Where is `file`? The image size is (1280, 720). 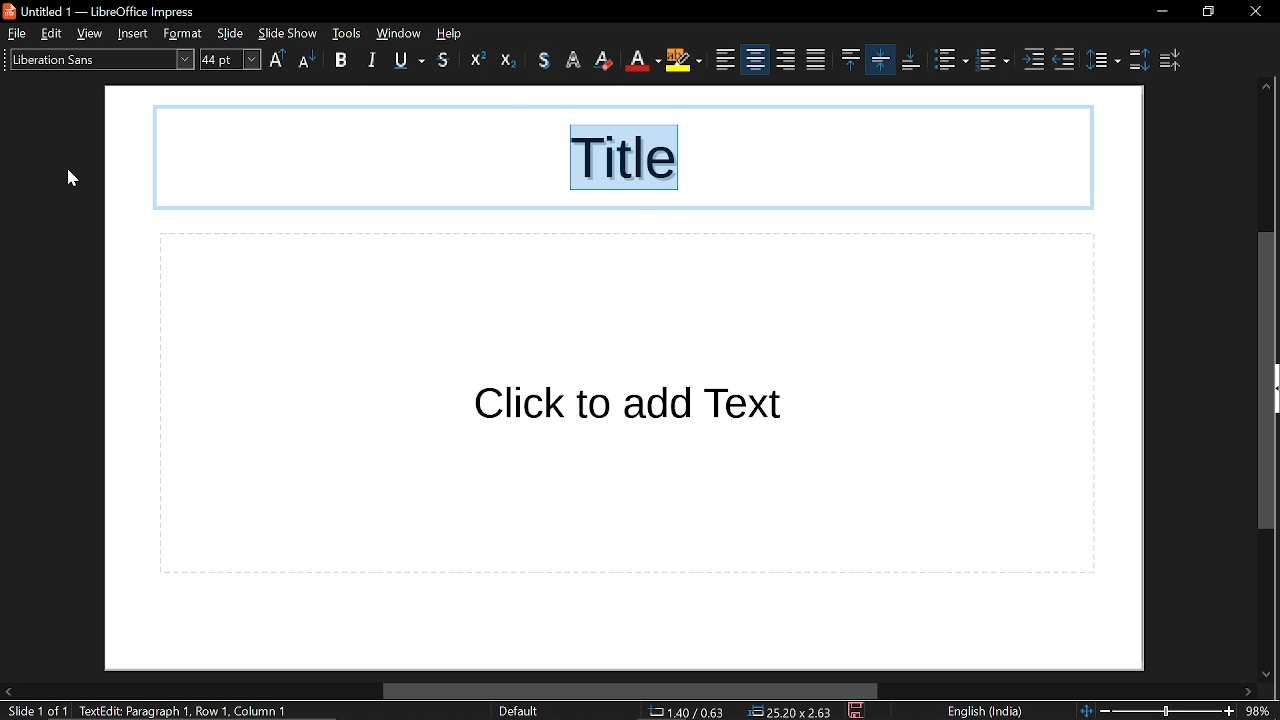
file is located at coordinates (16, 33).